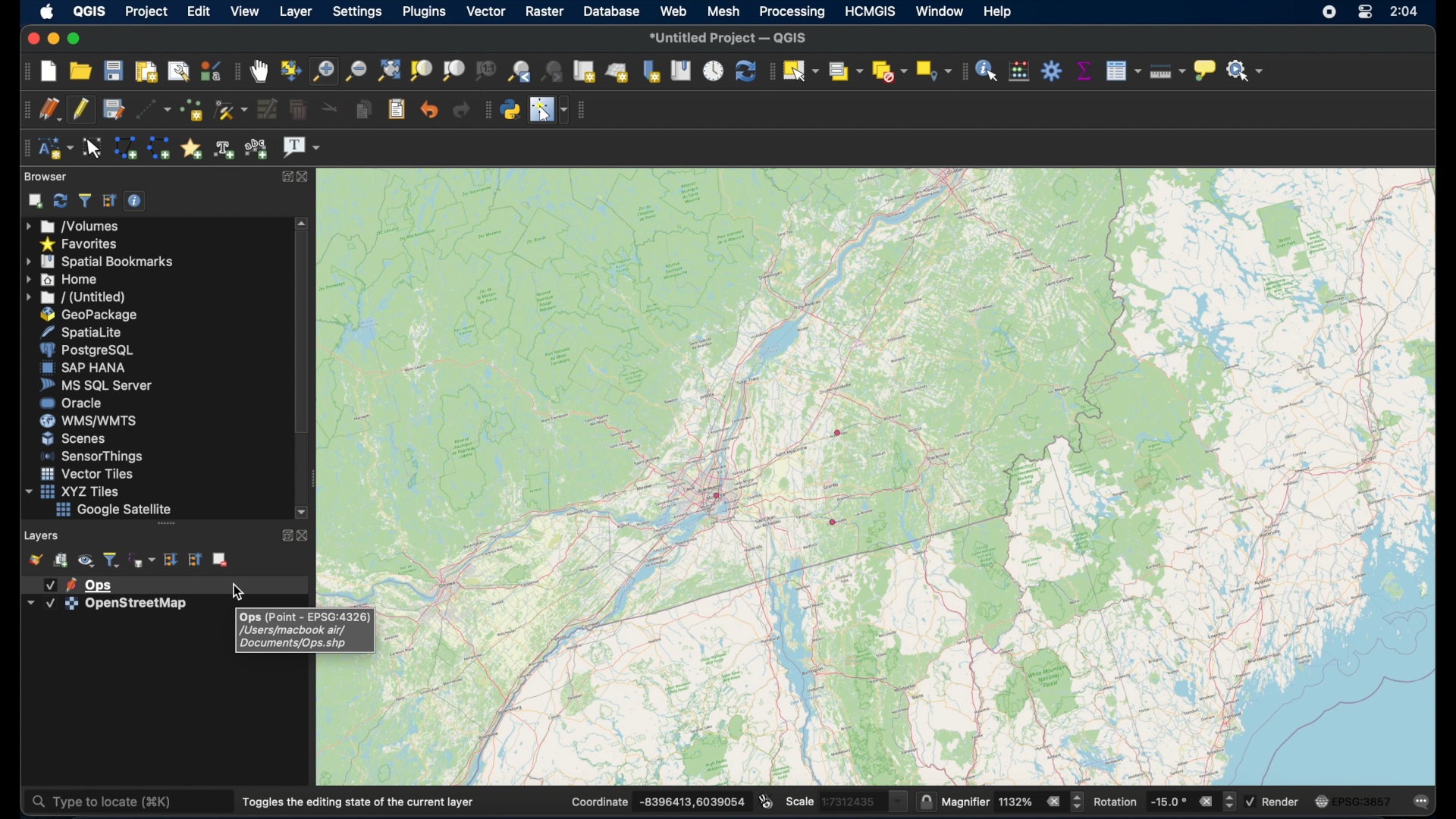 The height and width of the screenshot is (819, 1456). I want to click on layer, so click(112, 604).